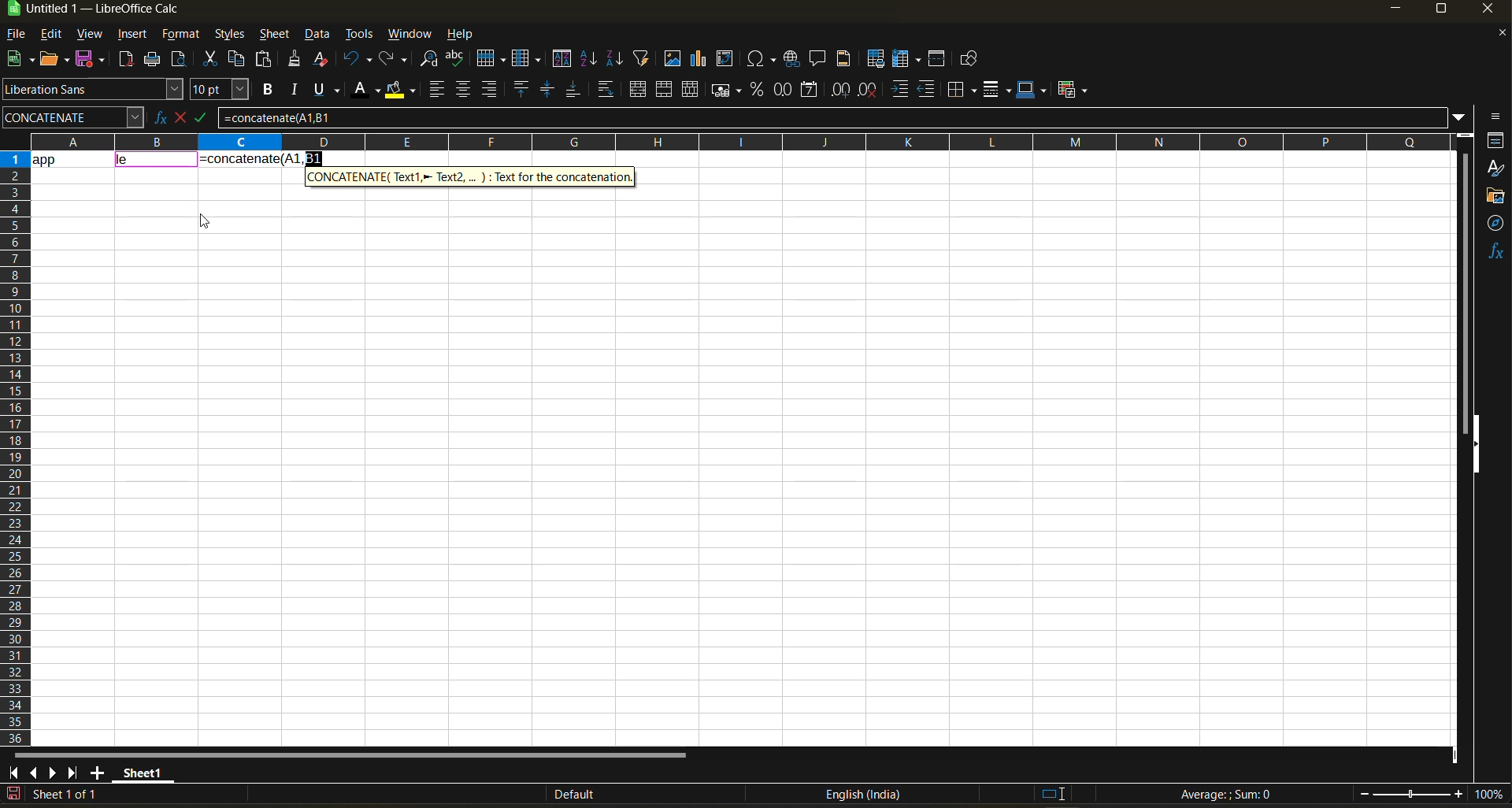 This screenshot has height=808, width=1512. What do you see at coordinates (1231, 796) in the screenshot?
I see `formula` at bounding box center [1231, 796].